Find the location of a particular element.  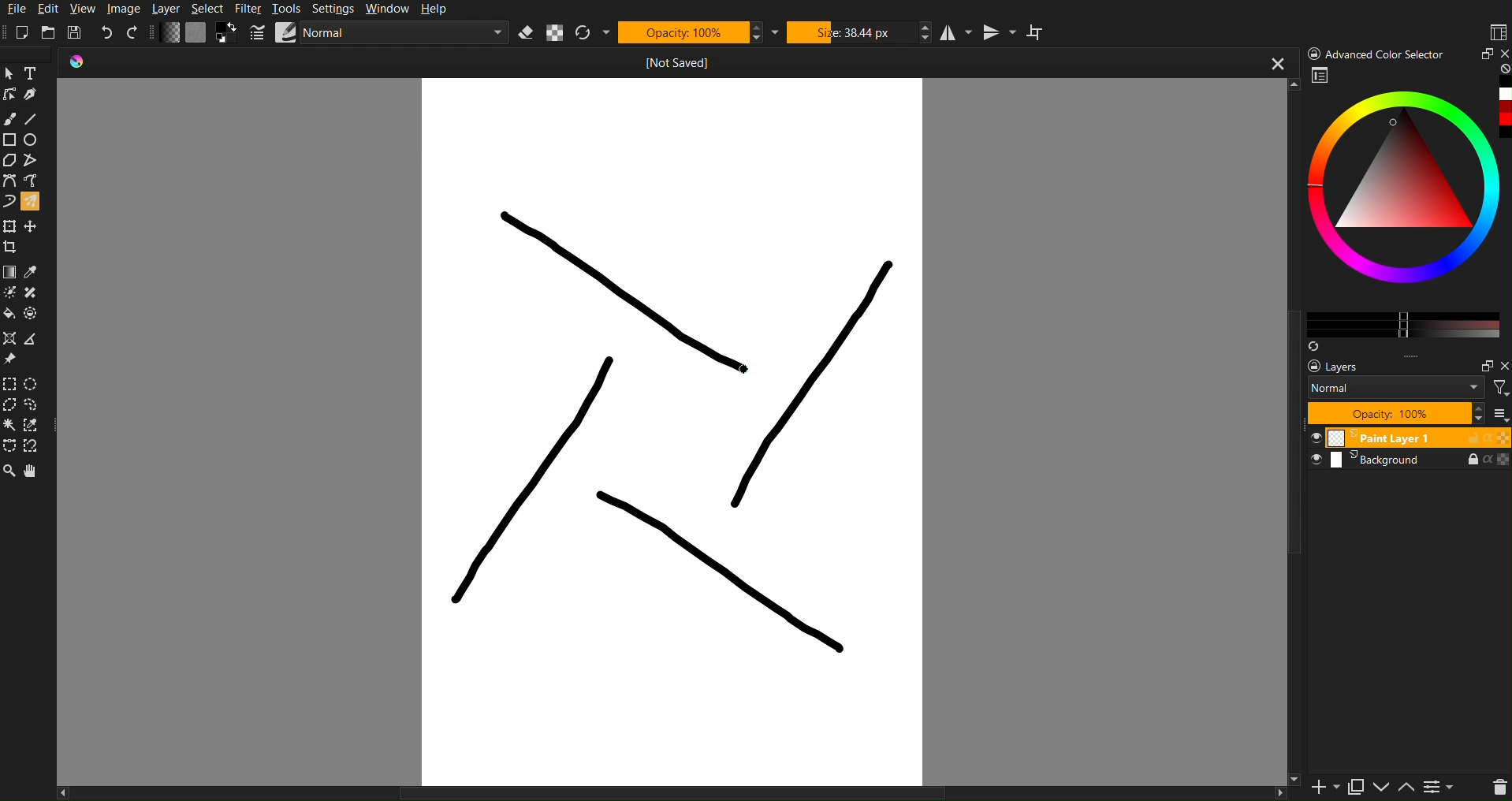

Rectangular selection Tool is located at coordinates (9, 382).